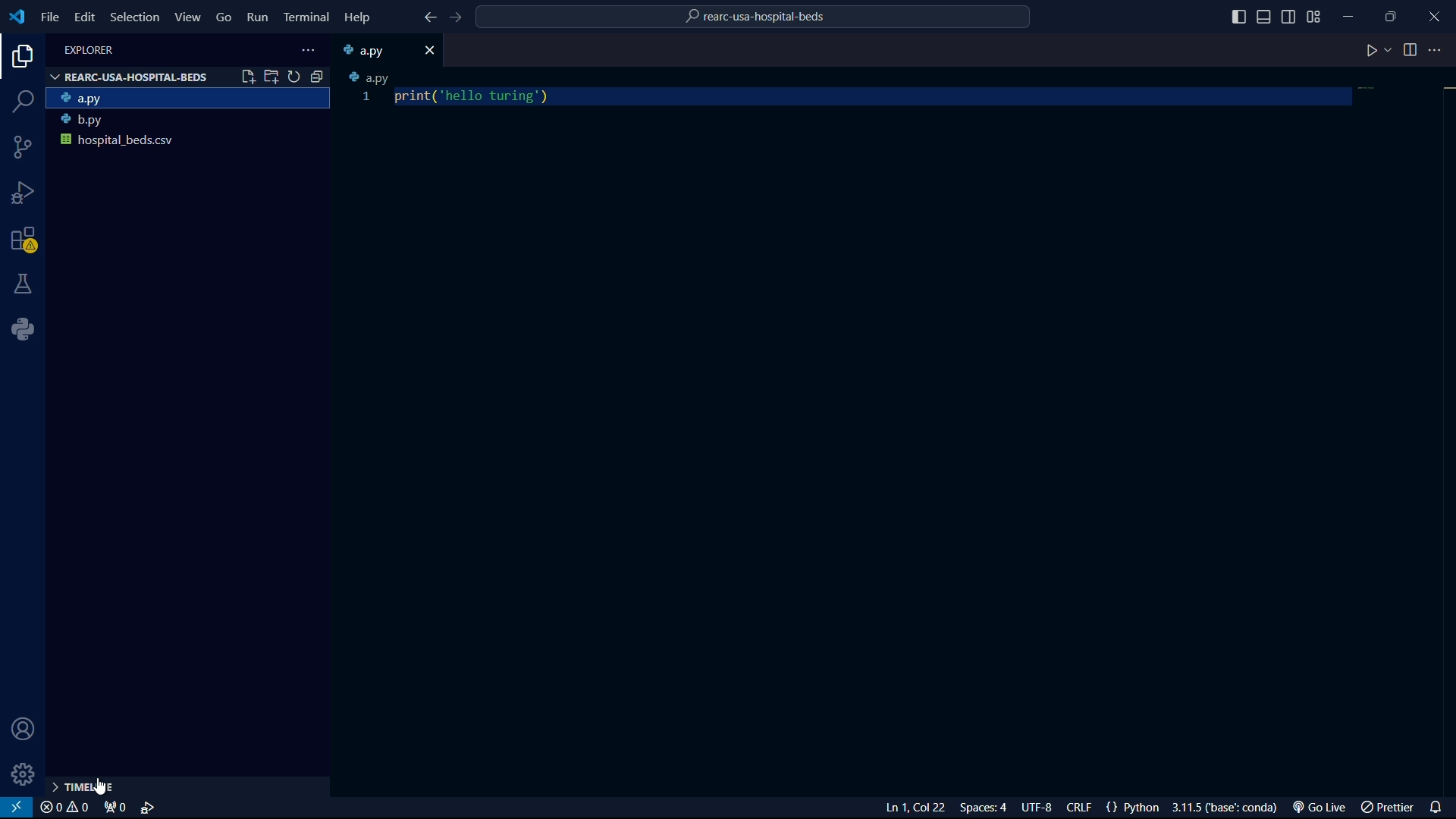 This screenshot has width=1456, height=819. What do you see at coordinates (1225, 808) in the screenshot?
I see `interpreter` at bounding box center [1225, 808].